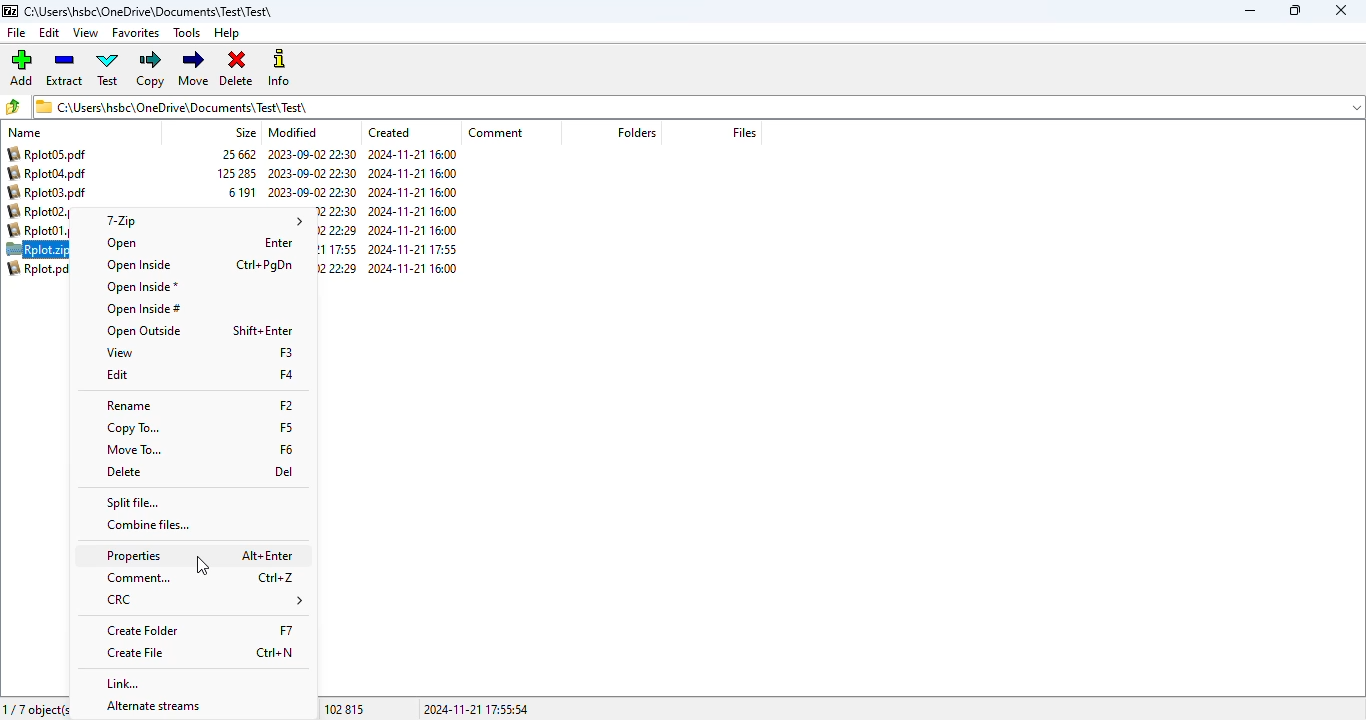 The height and width of the screenshot is (720, 1366). What do you see at coordinates (268, 330) in the screenshot?
I see `Shift+Enter` at bounding box center [268, 330].